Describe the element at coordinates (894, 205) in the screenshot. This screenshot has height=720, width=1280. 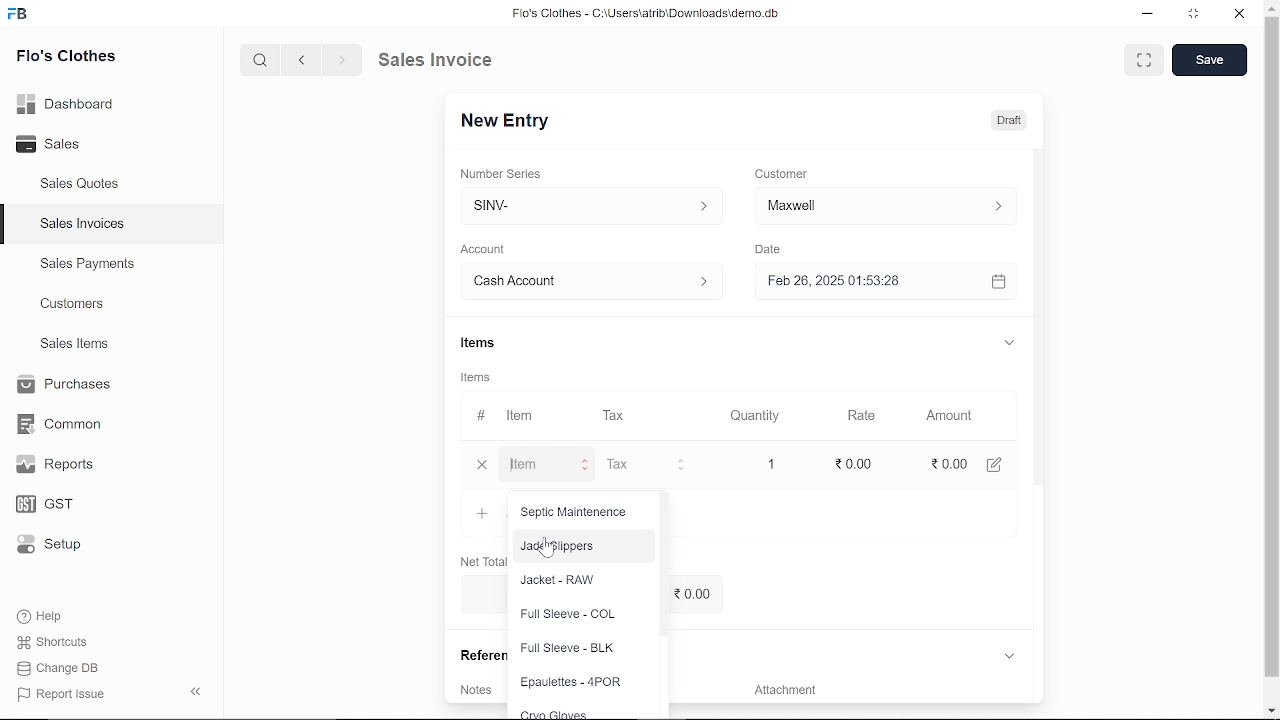
I see `Customer` at that location.